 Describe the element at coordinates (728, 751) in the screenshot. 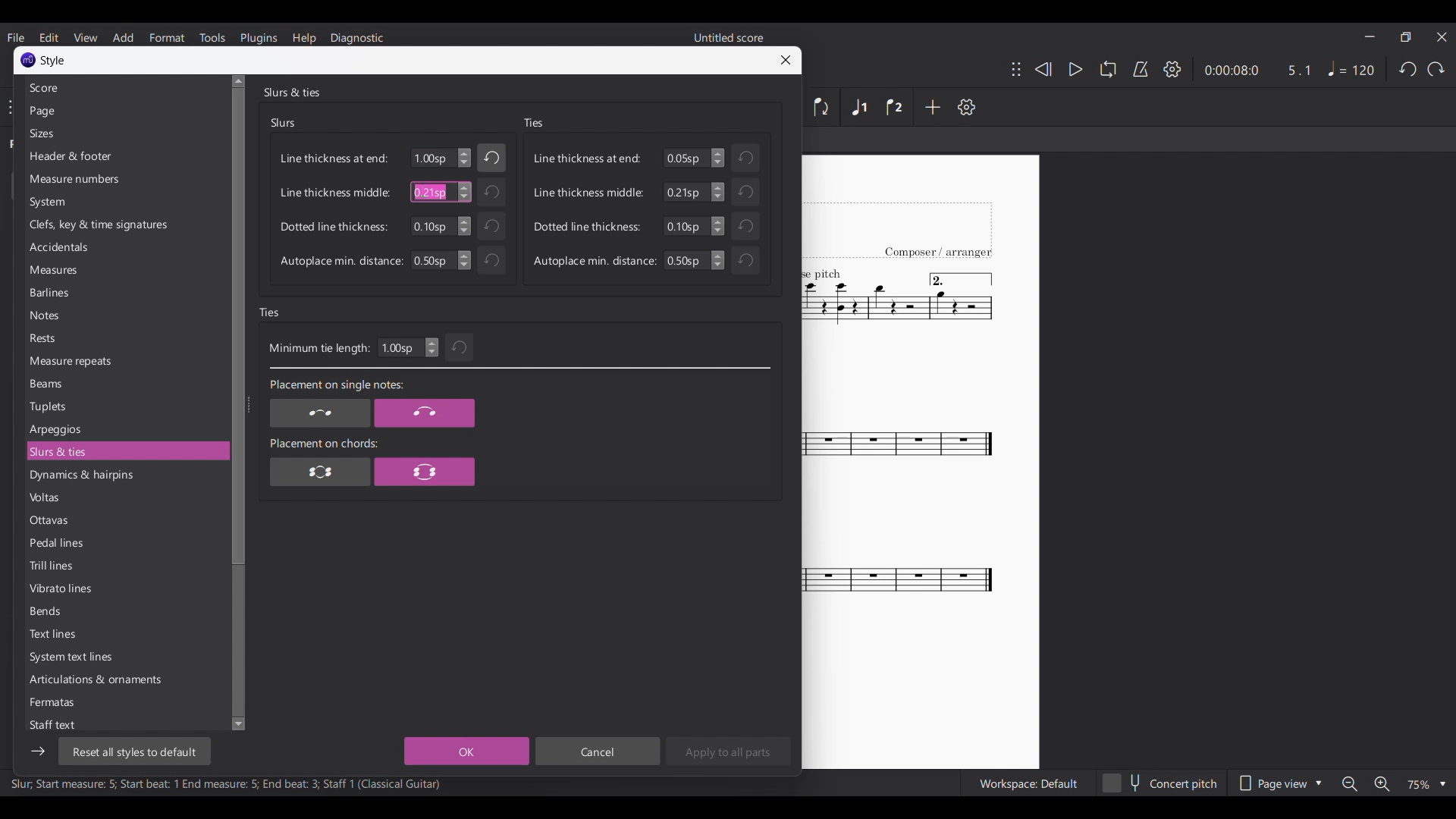

I see `Apply to all parts` at that location.